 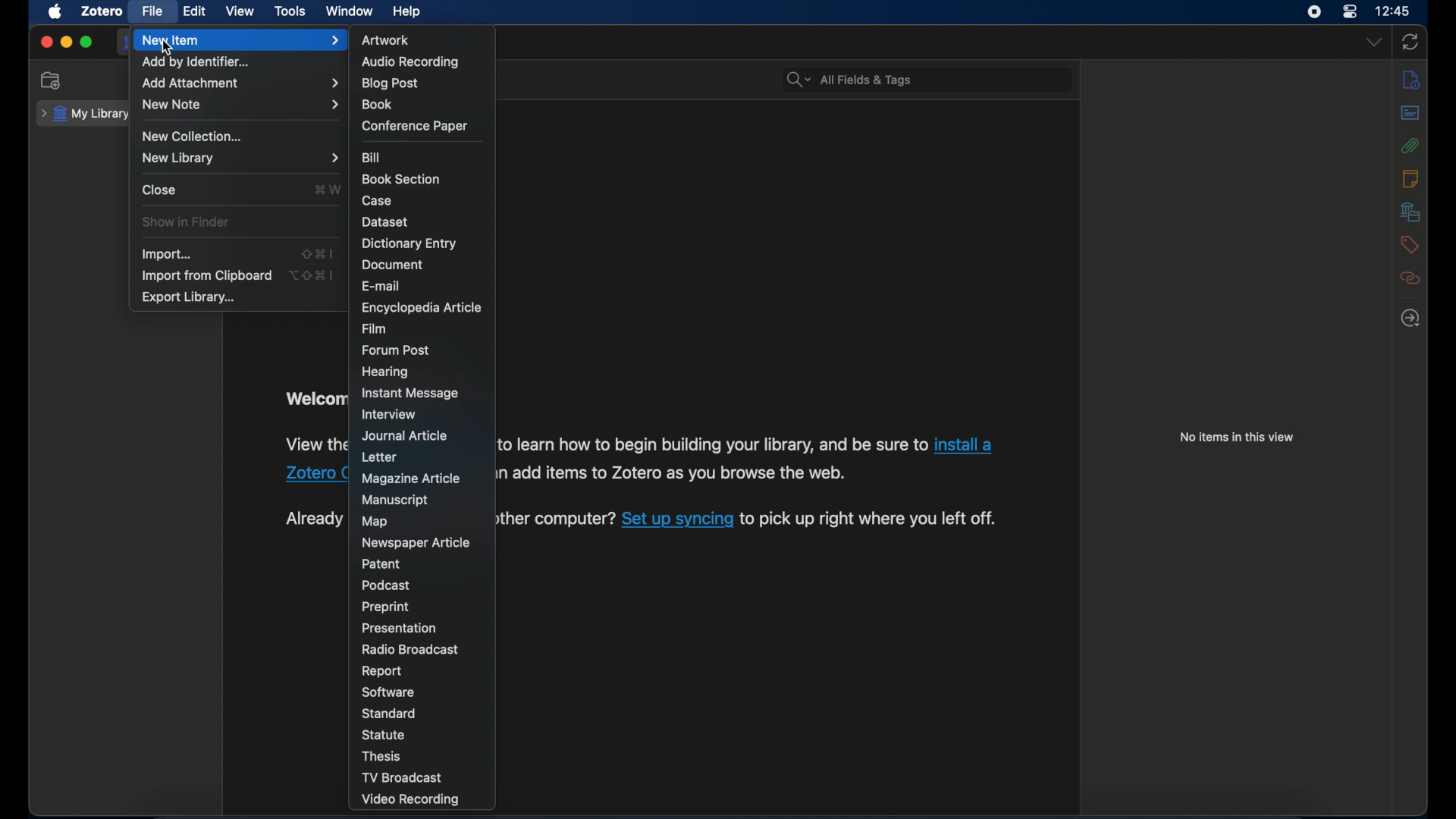 What do you see at coordinates (383, 671) in the screenshot?
I see `report` at bounding box center [383, 671].